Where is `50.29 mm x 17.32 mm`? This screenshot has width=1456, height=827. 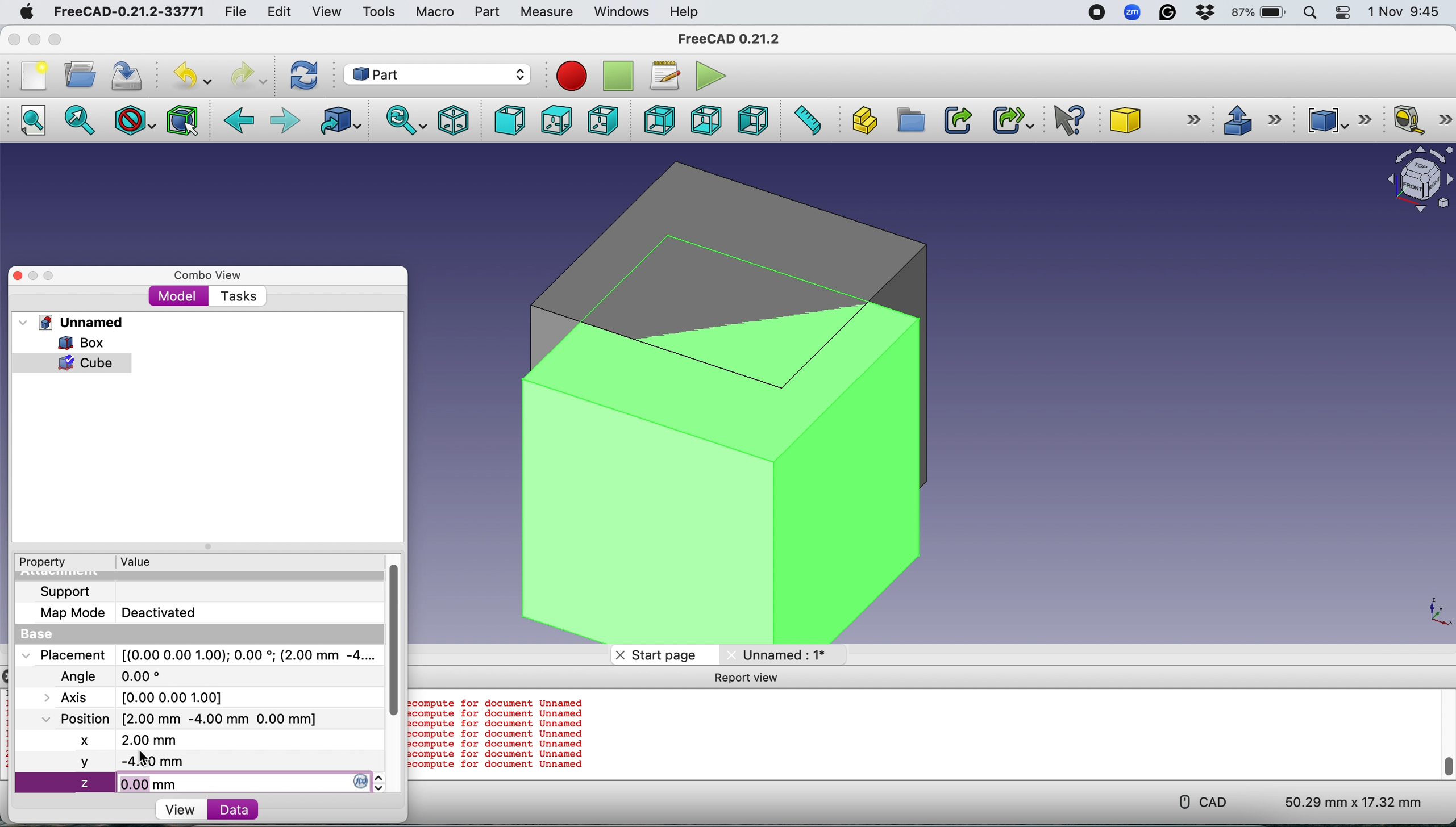 50.29 mm x 17.32 mm is located at coordinates (1343, 800).